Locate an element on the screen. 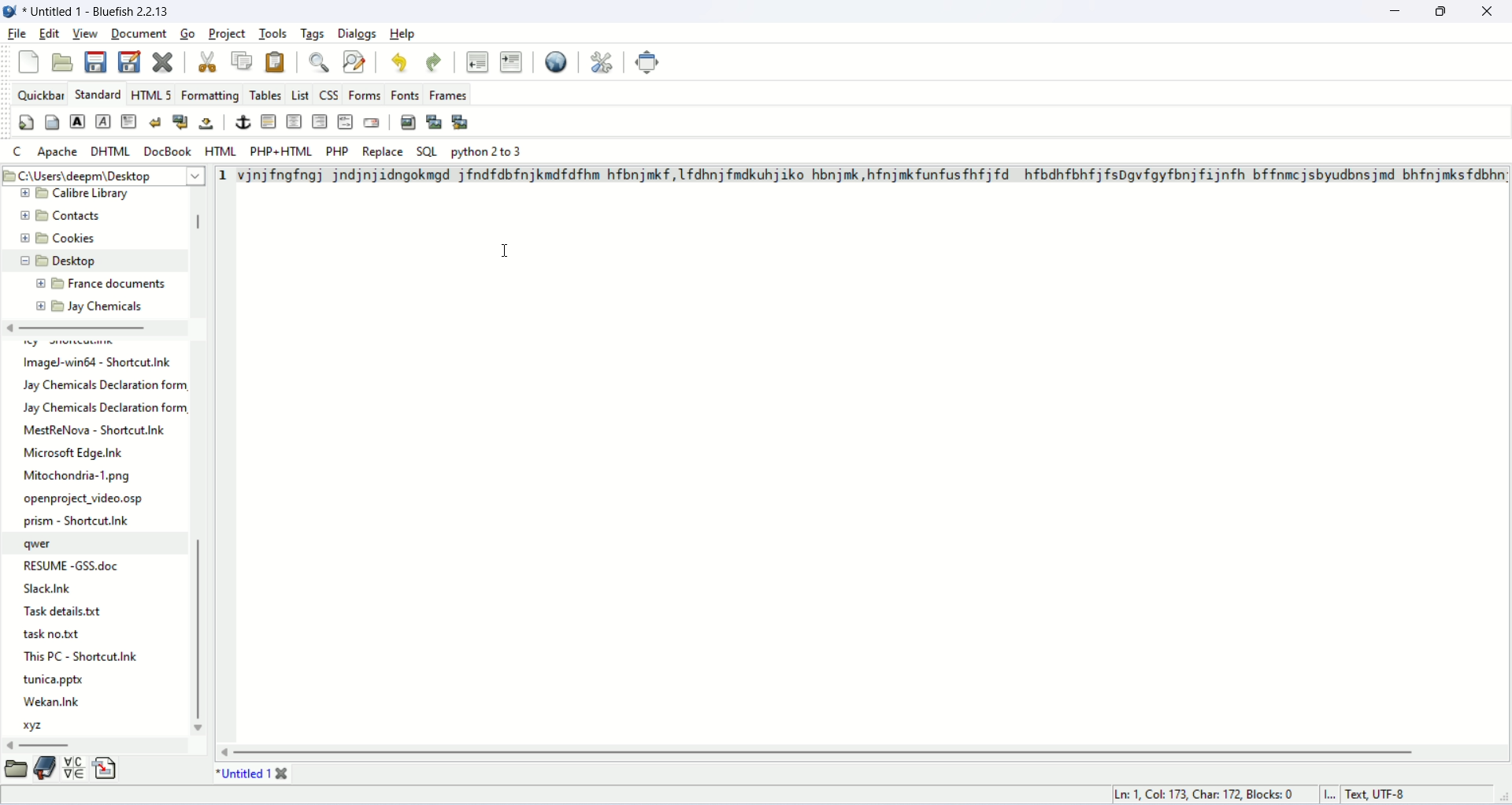  | vin)fngfng) jndjnjidngokmgd jfndfdbfnjkmdfdfhm hfbnjmkf,1fdhnjfmdkuhjiko hbnjmk , hfnymkfunfusfhfjfd hfbdhfbhfjfsbgvfgyfbnjfijnfh bffnmcjsbyudbnsjmd bhfnjmksfdb is located at coordinates (870, 176).